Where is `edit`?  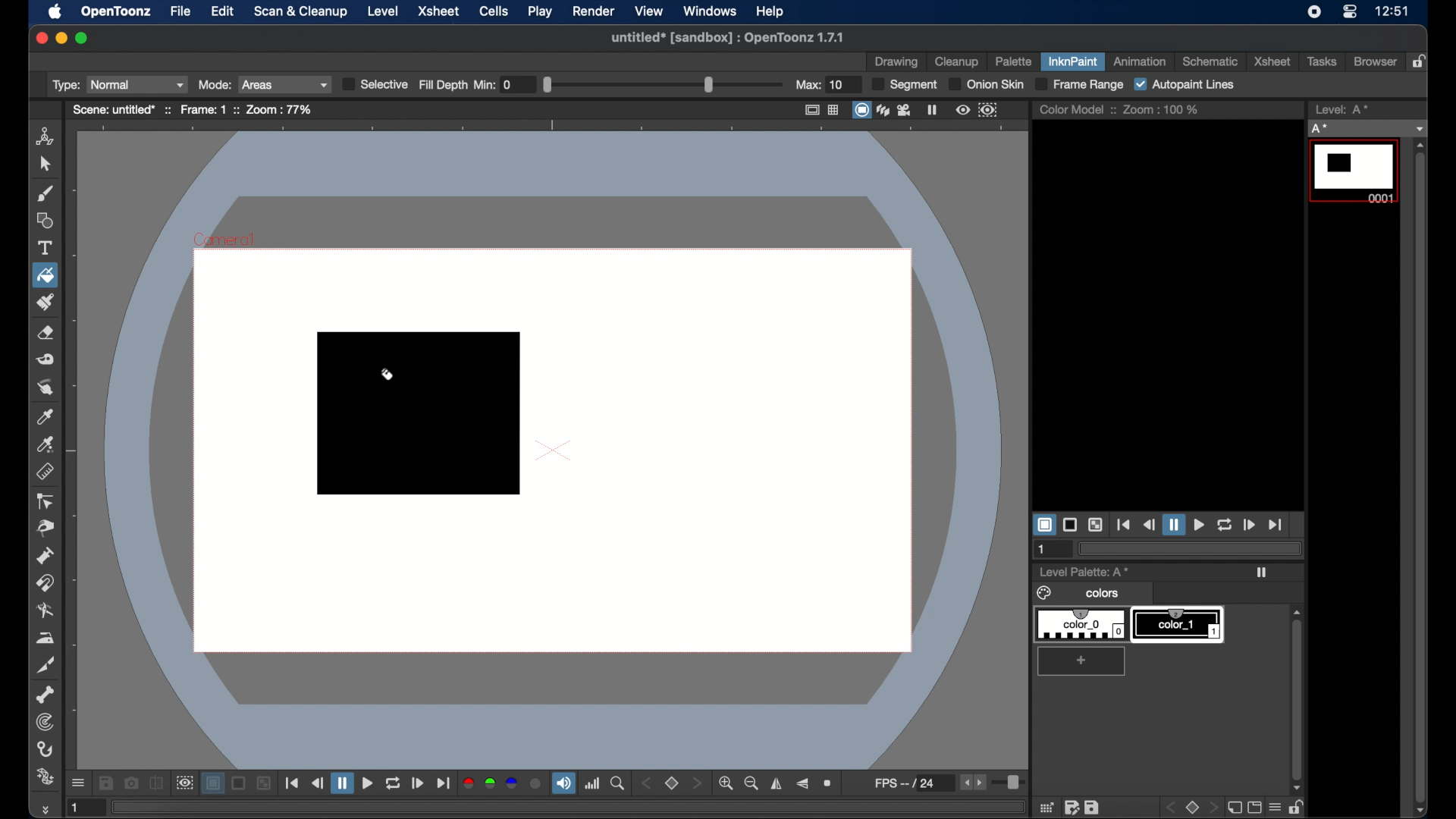 edit is located at coordinates (223, 11).